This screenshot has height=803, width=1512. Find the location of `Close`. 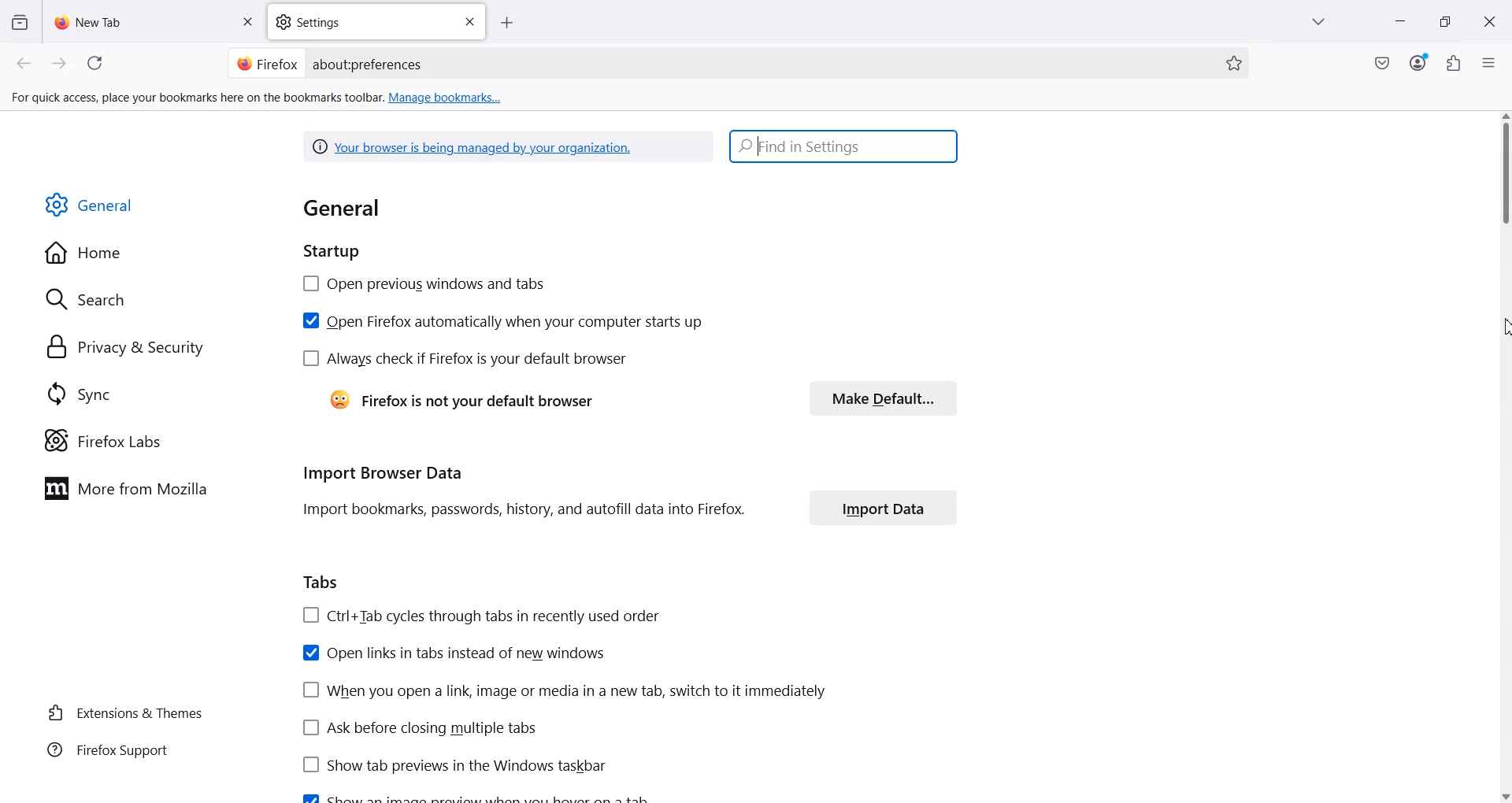

Close is located at coordinates (1489, 22).